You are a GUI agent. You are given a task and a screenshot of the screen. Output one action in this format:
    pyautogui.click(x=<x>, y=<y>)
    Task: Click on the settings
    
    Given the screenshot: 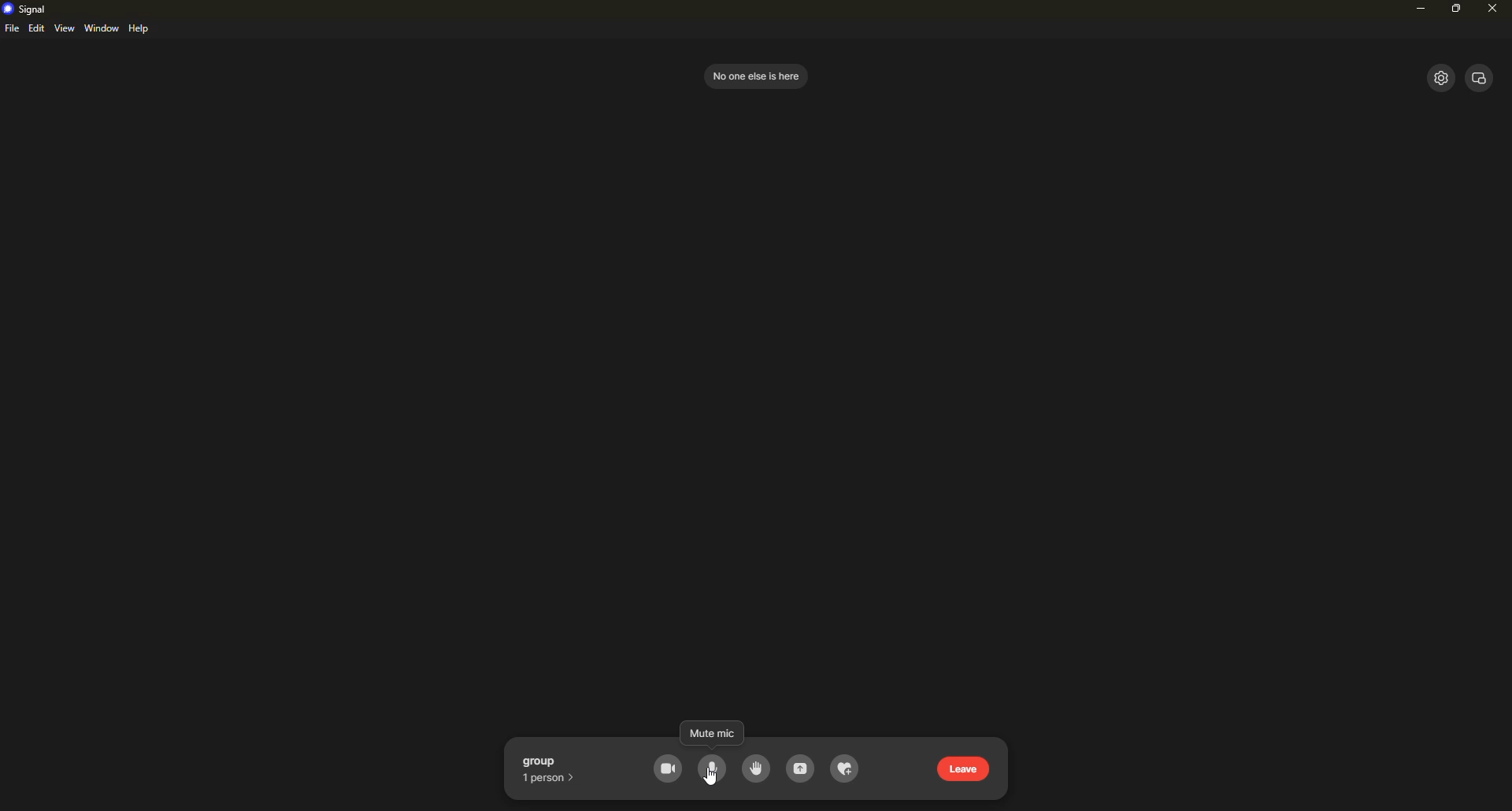 What is the action you would take?
    pyautogui.click(x=1439, y=78)
    